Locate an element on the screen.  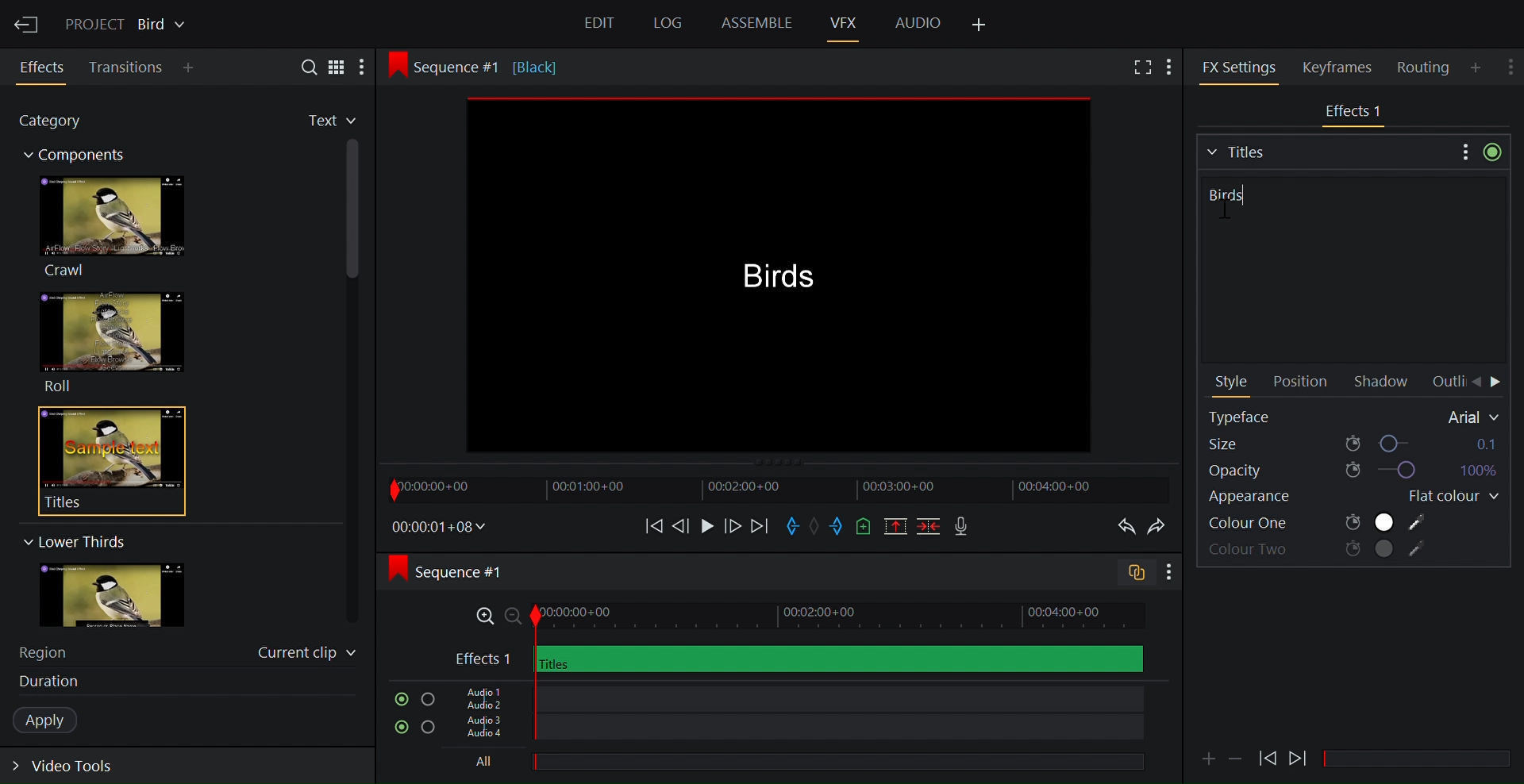
Size is located at coordinates (1353, 443).